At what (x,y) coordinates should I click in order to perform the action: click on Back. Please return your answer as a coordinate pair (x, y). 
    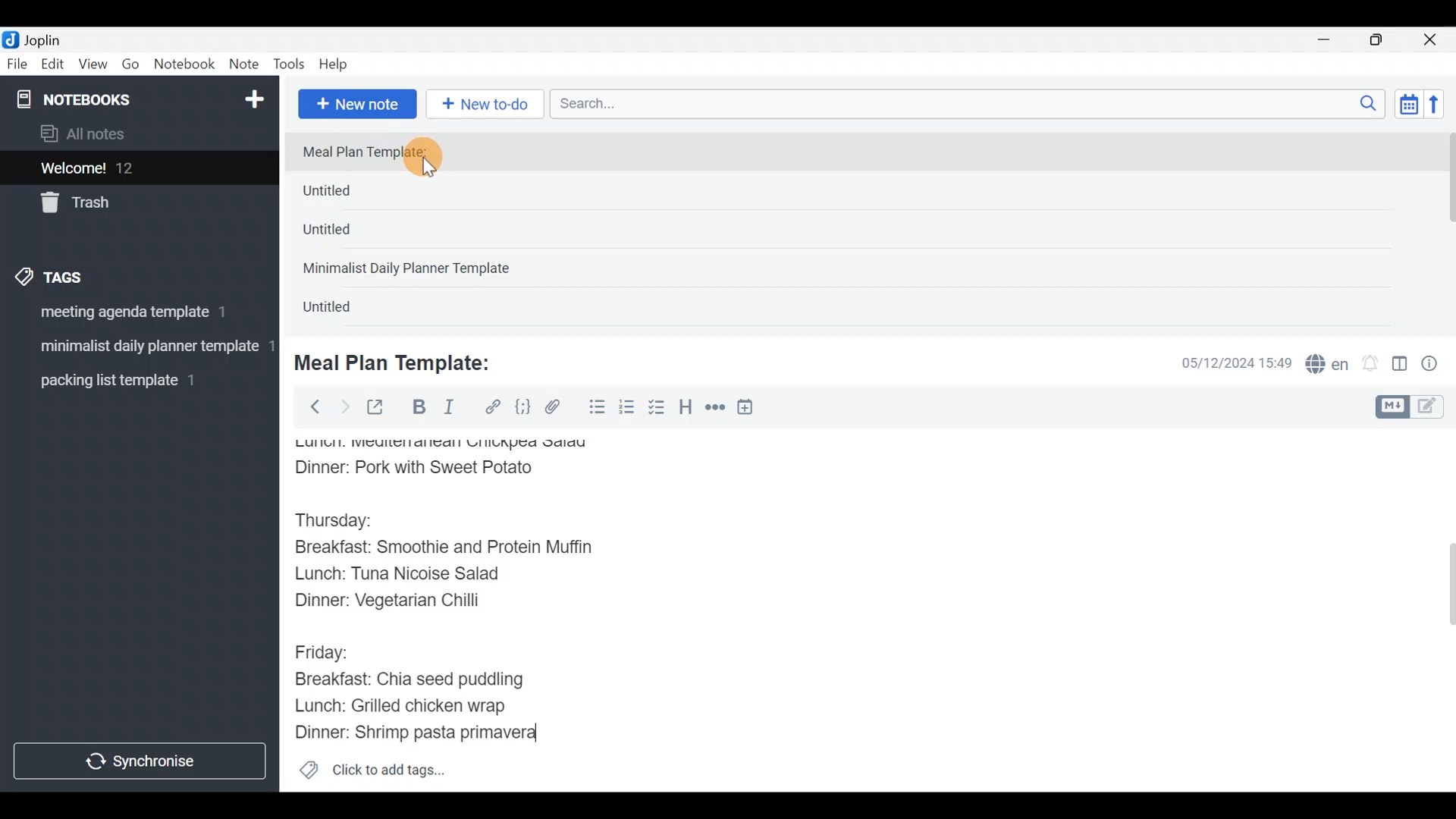
    Looking at the image, I should click on (309, 406).